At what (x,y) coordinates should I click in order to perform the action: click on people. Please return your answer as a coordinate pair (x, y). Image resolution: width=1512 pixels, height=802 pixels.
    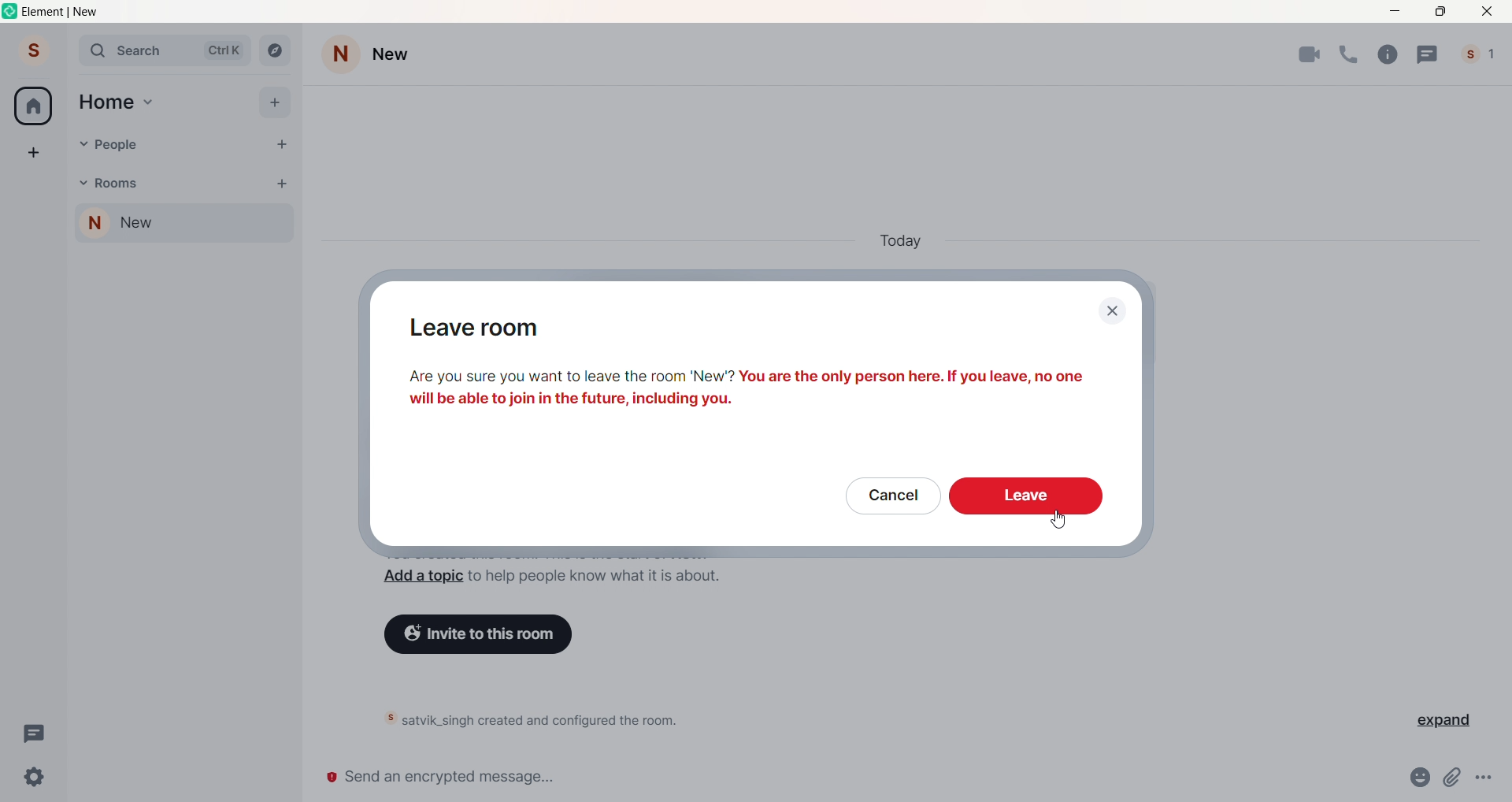
    Looking at the image, I should click on (1480, 50).